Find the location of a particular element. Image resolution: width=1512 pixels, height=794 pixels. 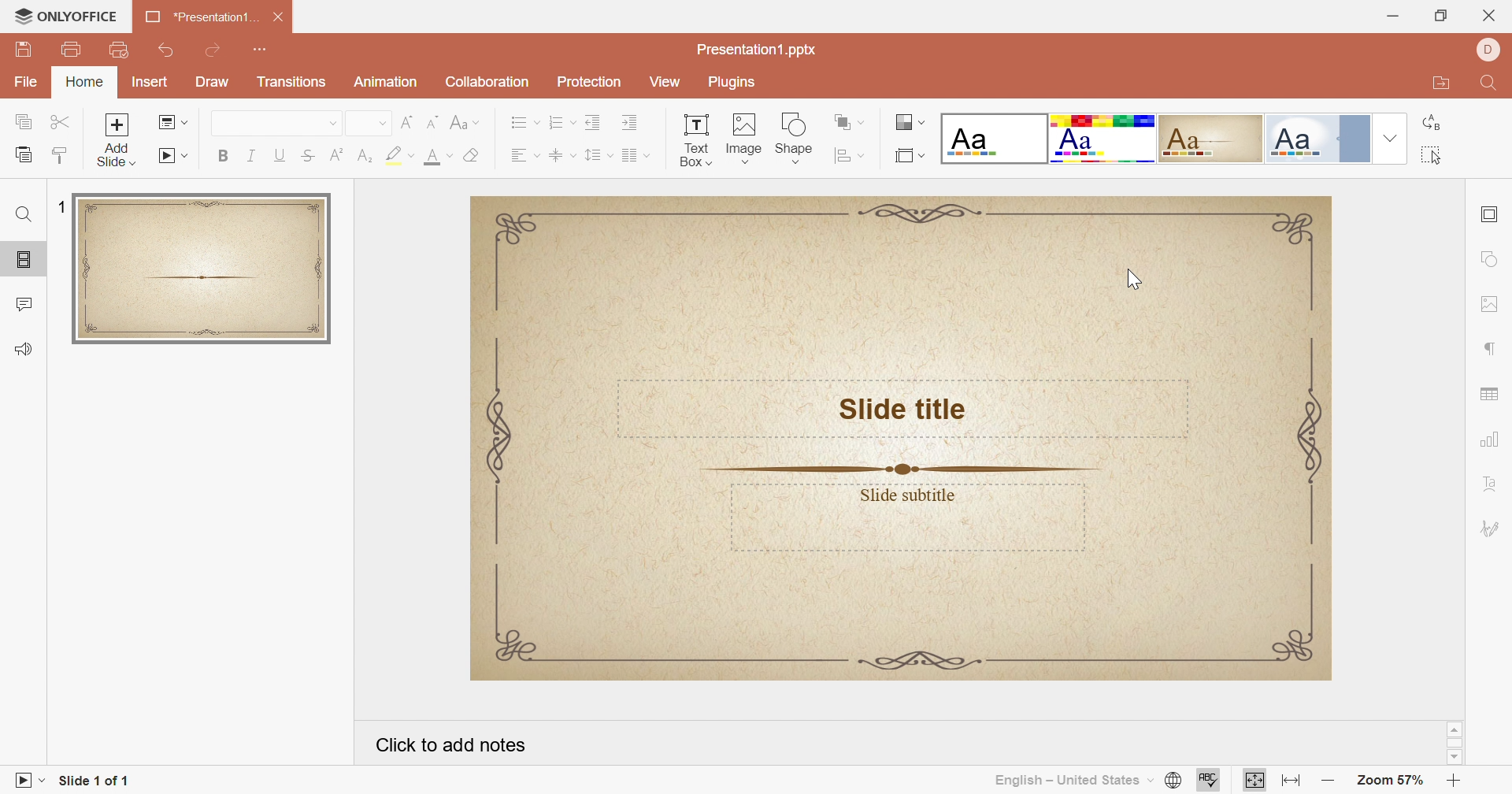

Align Text to Middle is located at coordinates (558, 155).